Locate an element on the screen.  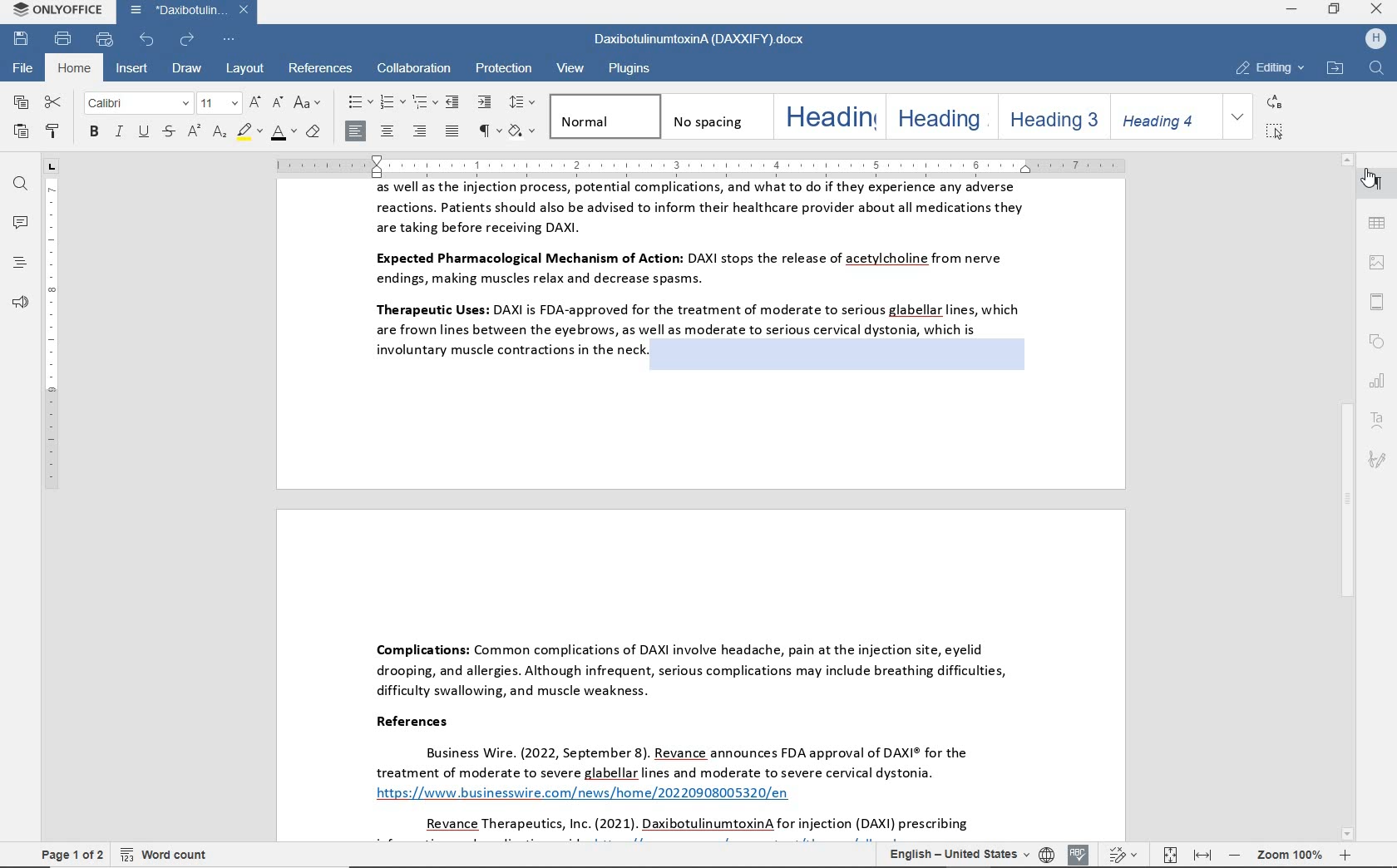
layout is located at coordinates (244, 69).